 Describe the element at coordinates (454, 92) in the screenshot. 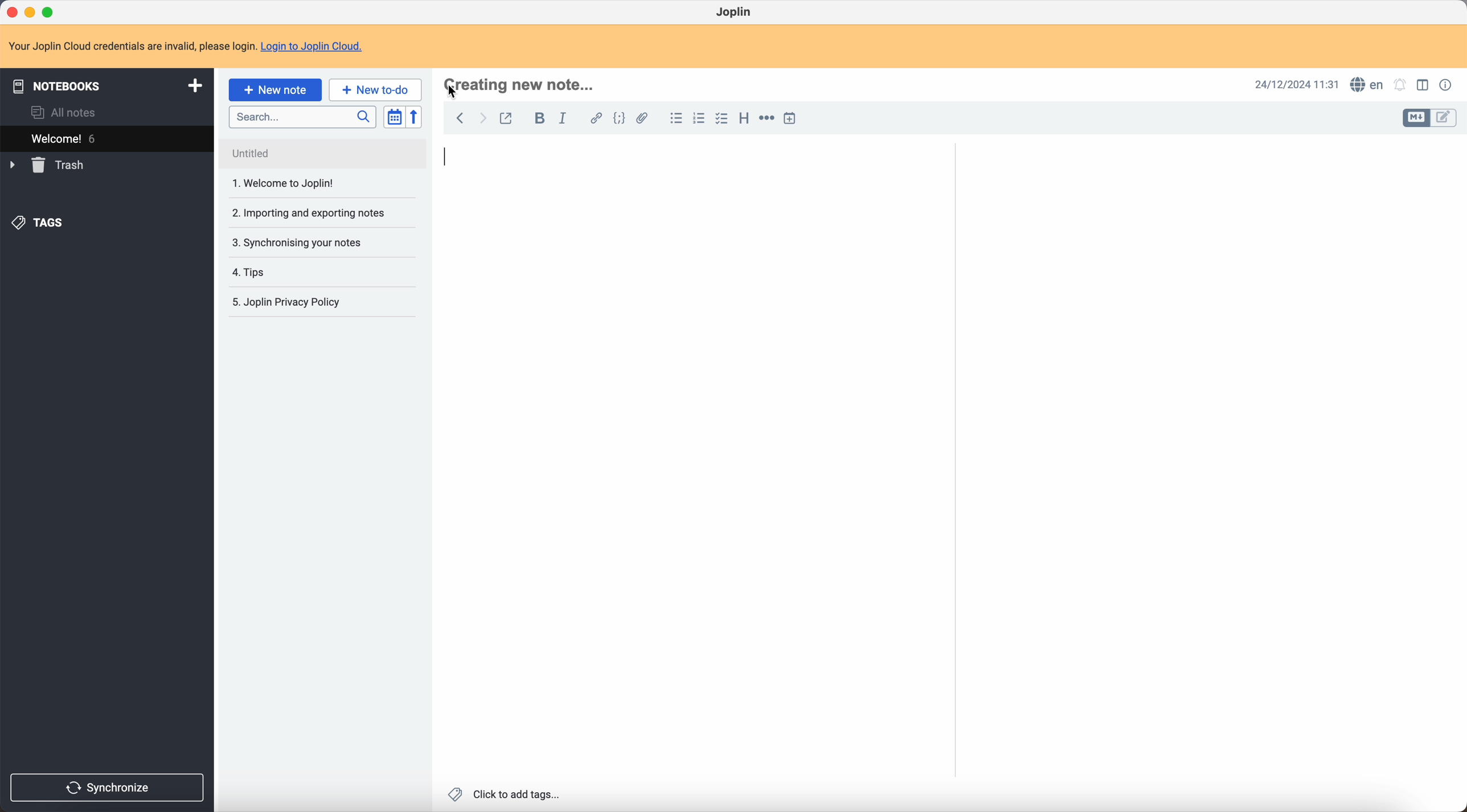

I see `Cursor` at that location.